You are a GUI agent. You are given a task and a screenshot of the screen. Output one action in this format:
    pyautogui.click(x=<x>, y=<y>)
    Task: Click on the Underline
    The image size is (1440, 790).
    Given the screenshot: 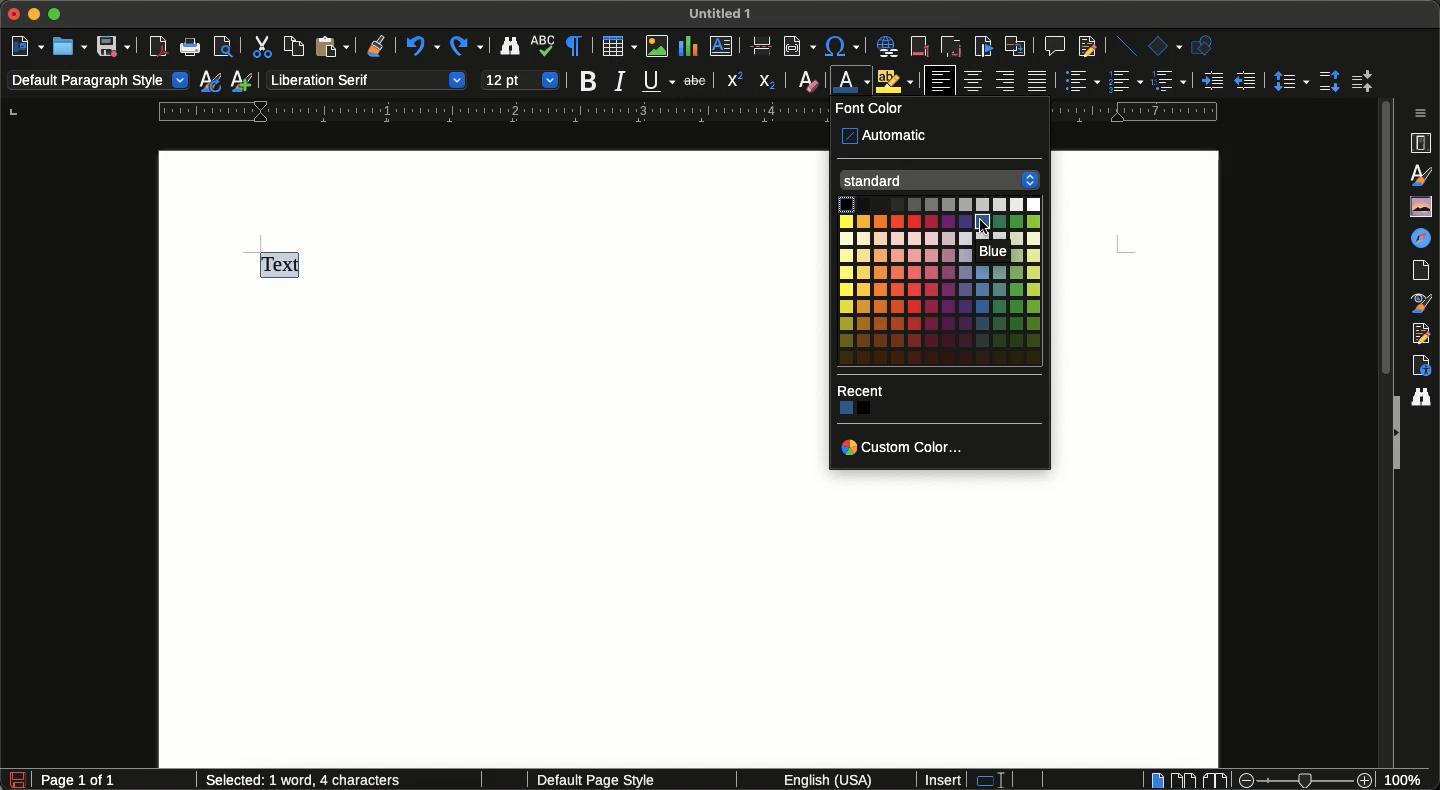 What is the action you would take?
    pyautogui.click(x=658, y=81)
    